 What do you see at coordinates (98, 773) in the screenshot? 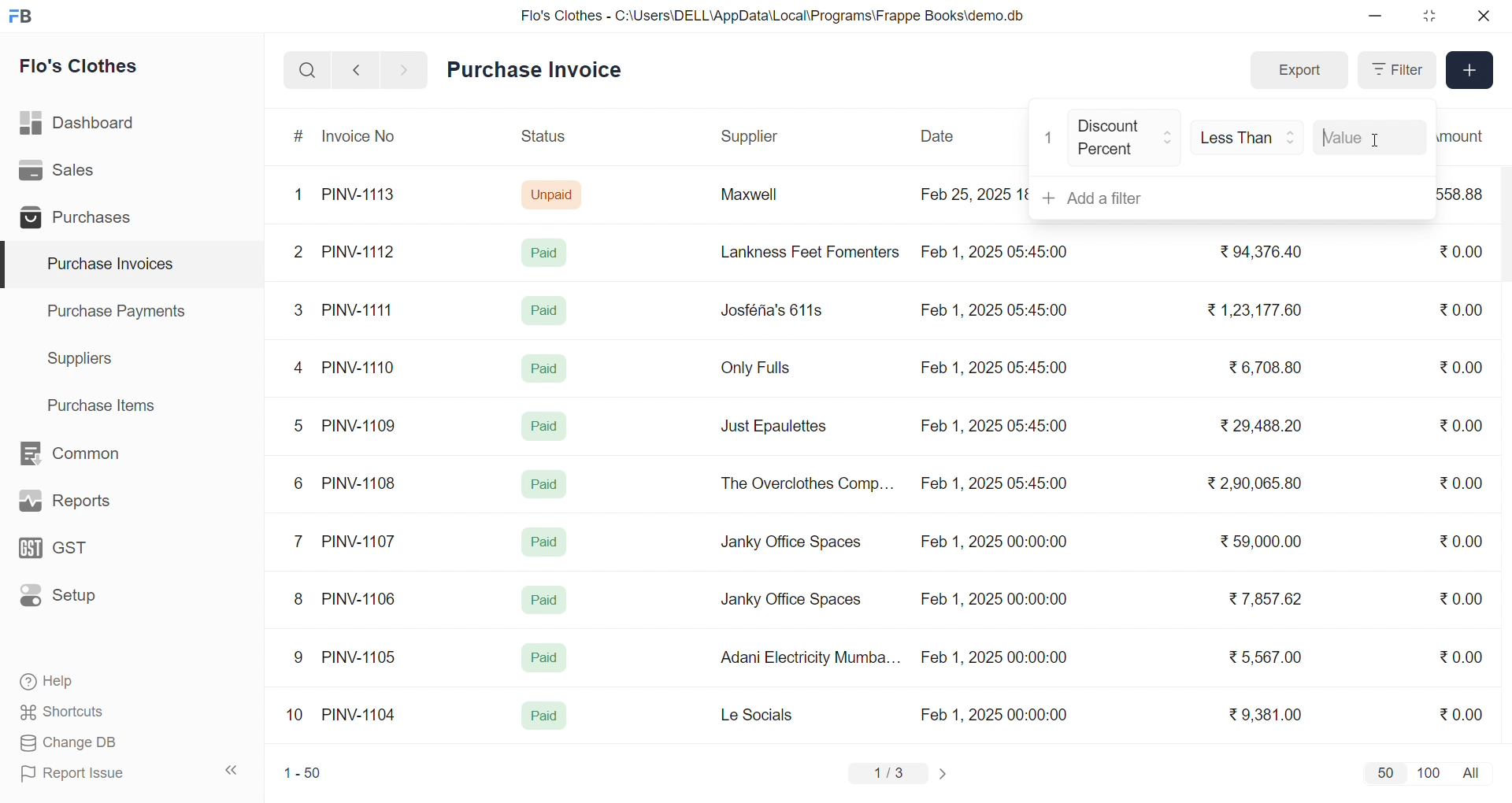
I see `Report Issue` at bounding box center [98, 773].